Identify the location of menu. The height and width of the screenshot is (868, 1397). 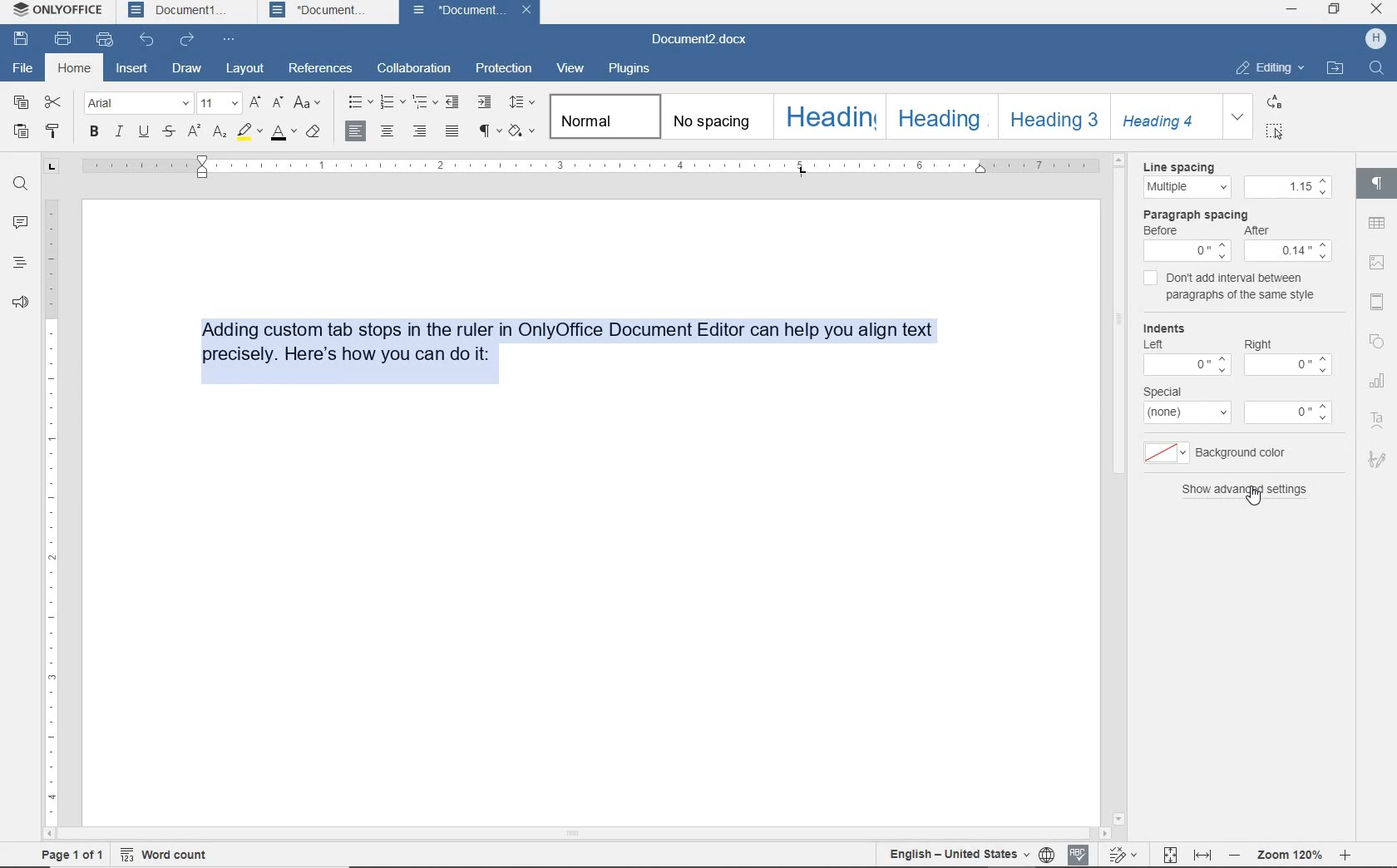
(1287, 186).